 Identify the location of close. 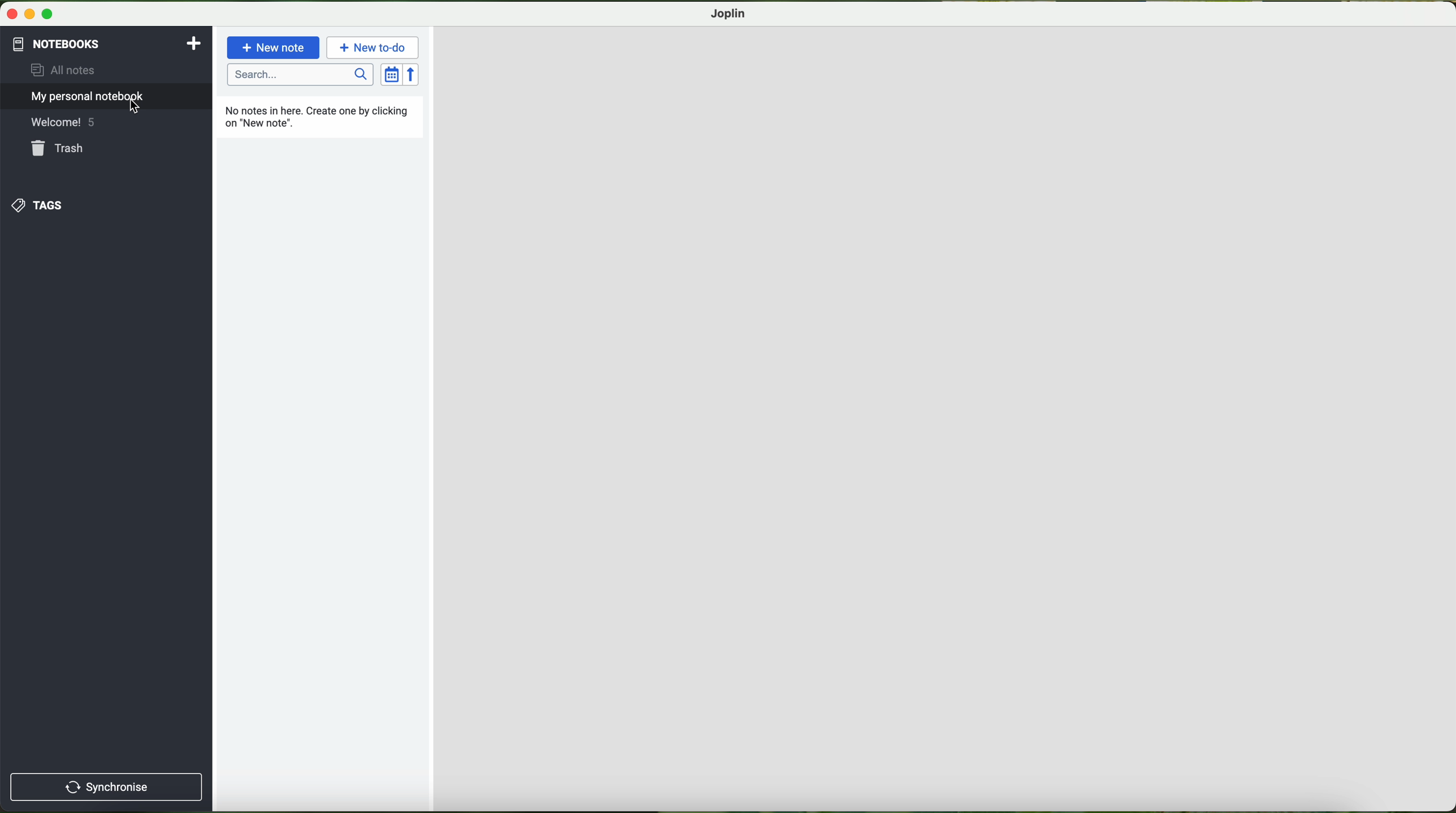
(13, 14).